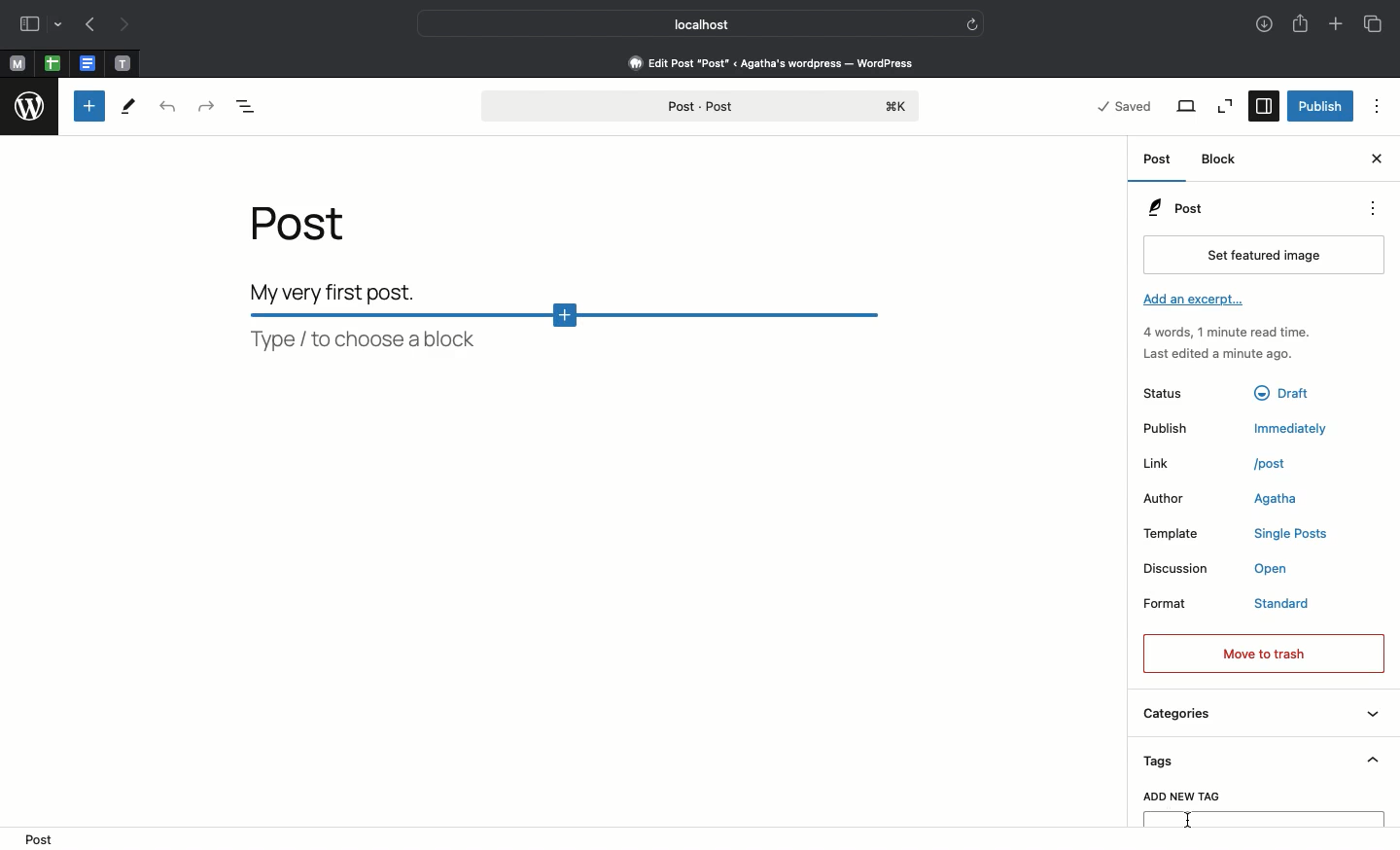 Image resolution: width=1400 pixels, height=850 pixels. Describe the element at coordinates (51, 62) in the screenshot. I see `Pinned tabs` at that location.